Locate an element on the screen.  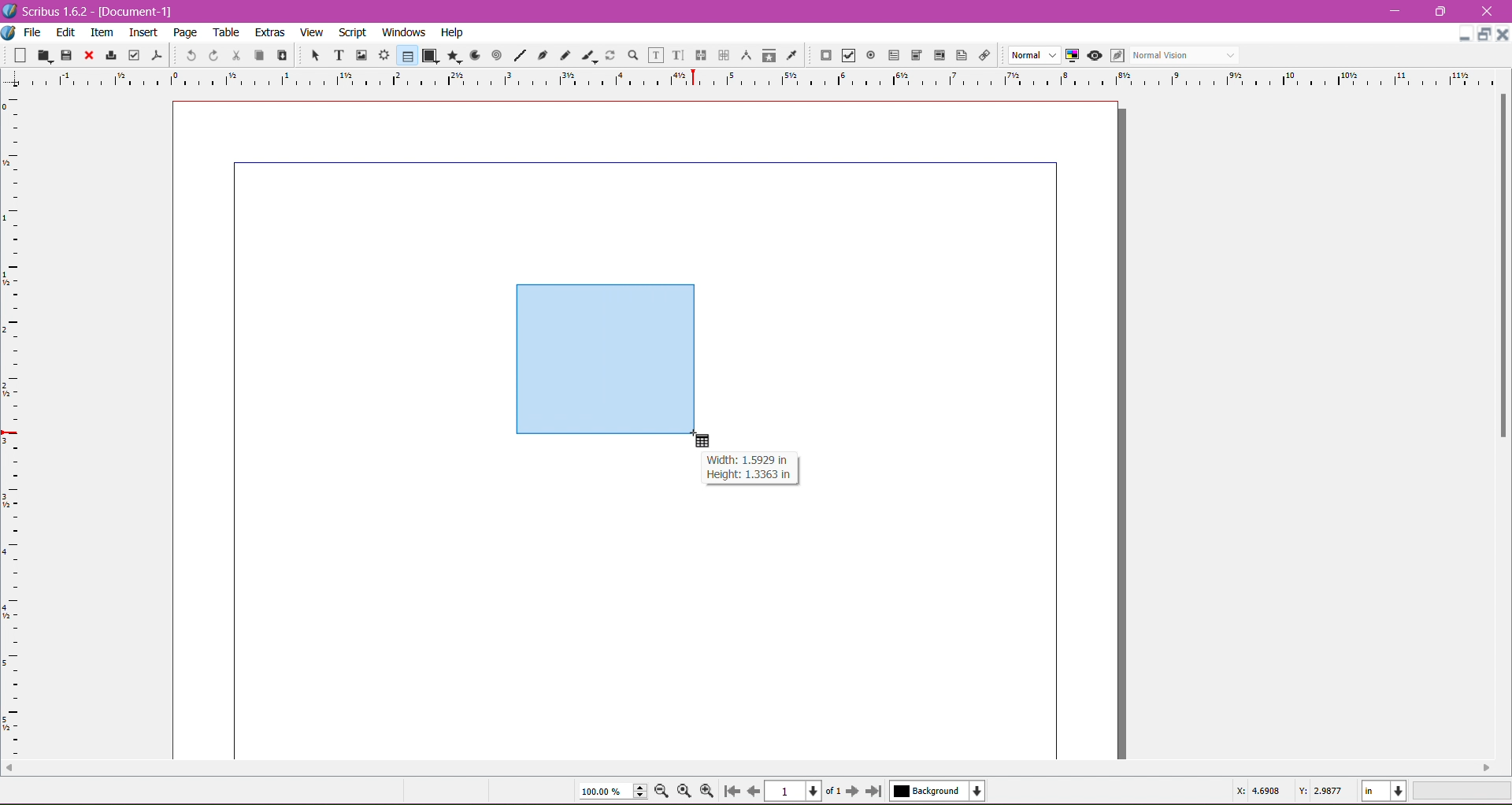
Spiral is located at coordinates (495, 54).